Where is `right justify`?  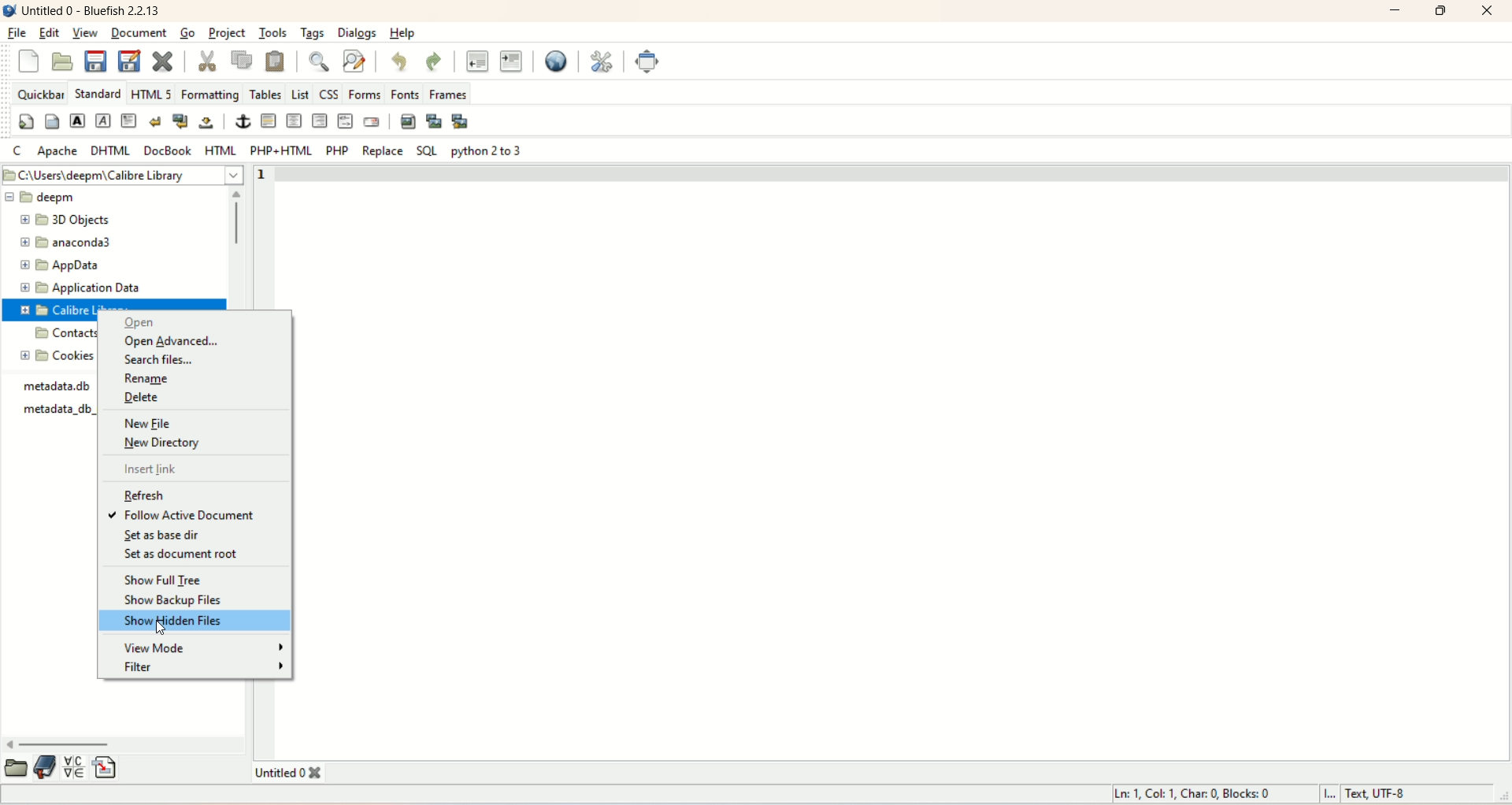 right justify is located at coordinates (319, 120).